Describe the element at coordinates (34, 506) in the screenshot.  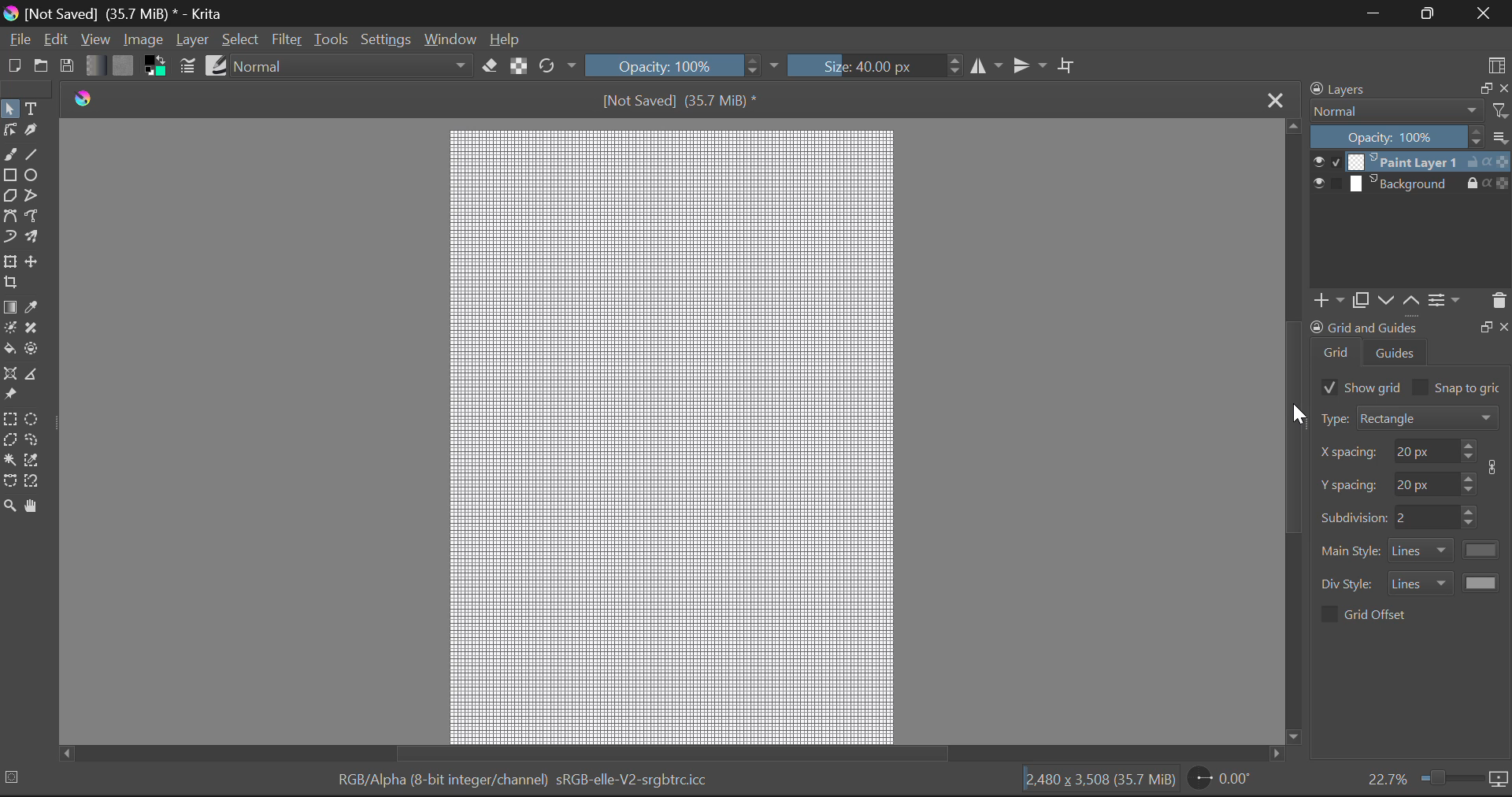
I see `Pan` at that location.